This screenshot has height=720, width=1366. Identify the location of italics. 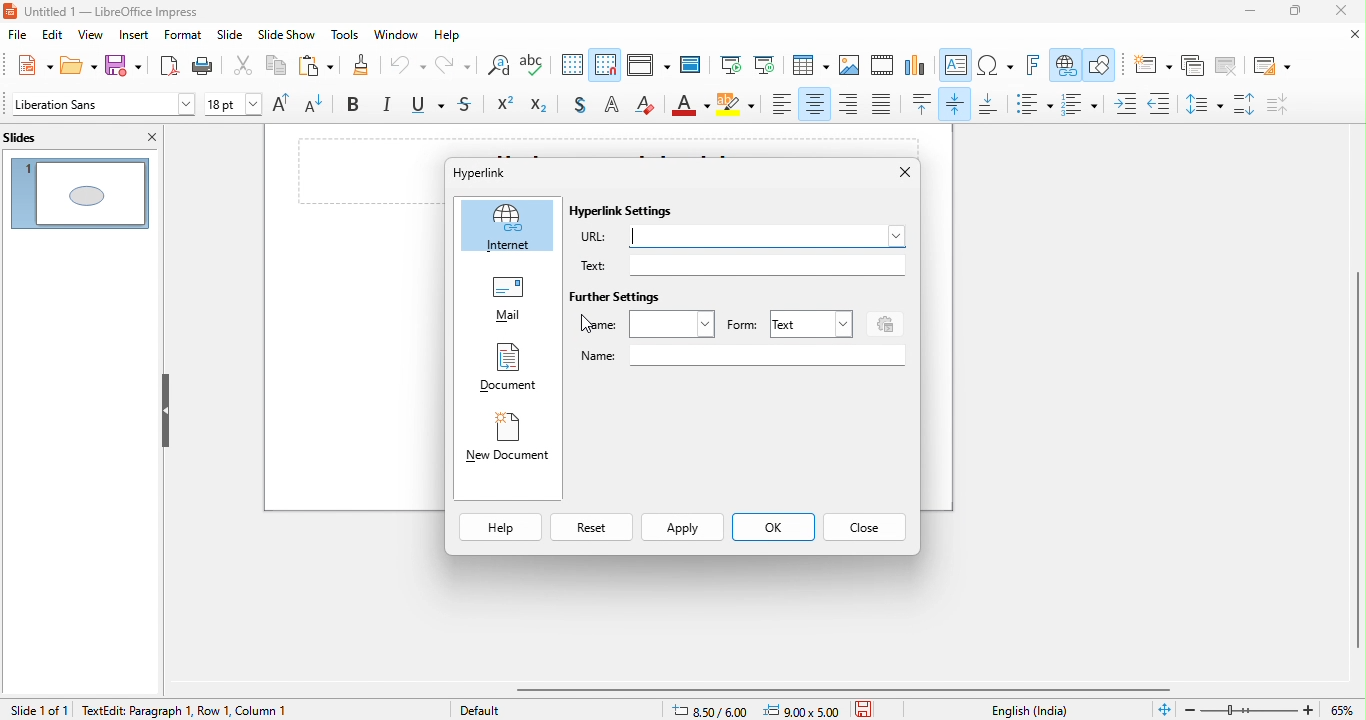
(389, 106).